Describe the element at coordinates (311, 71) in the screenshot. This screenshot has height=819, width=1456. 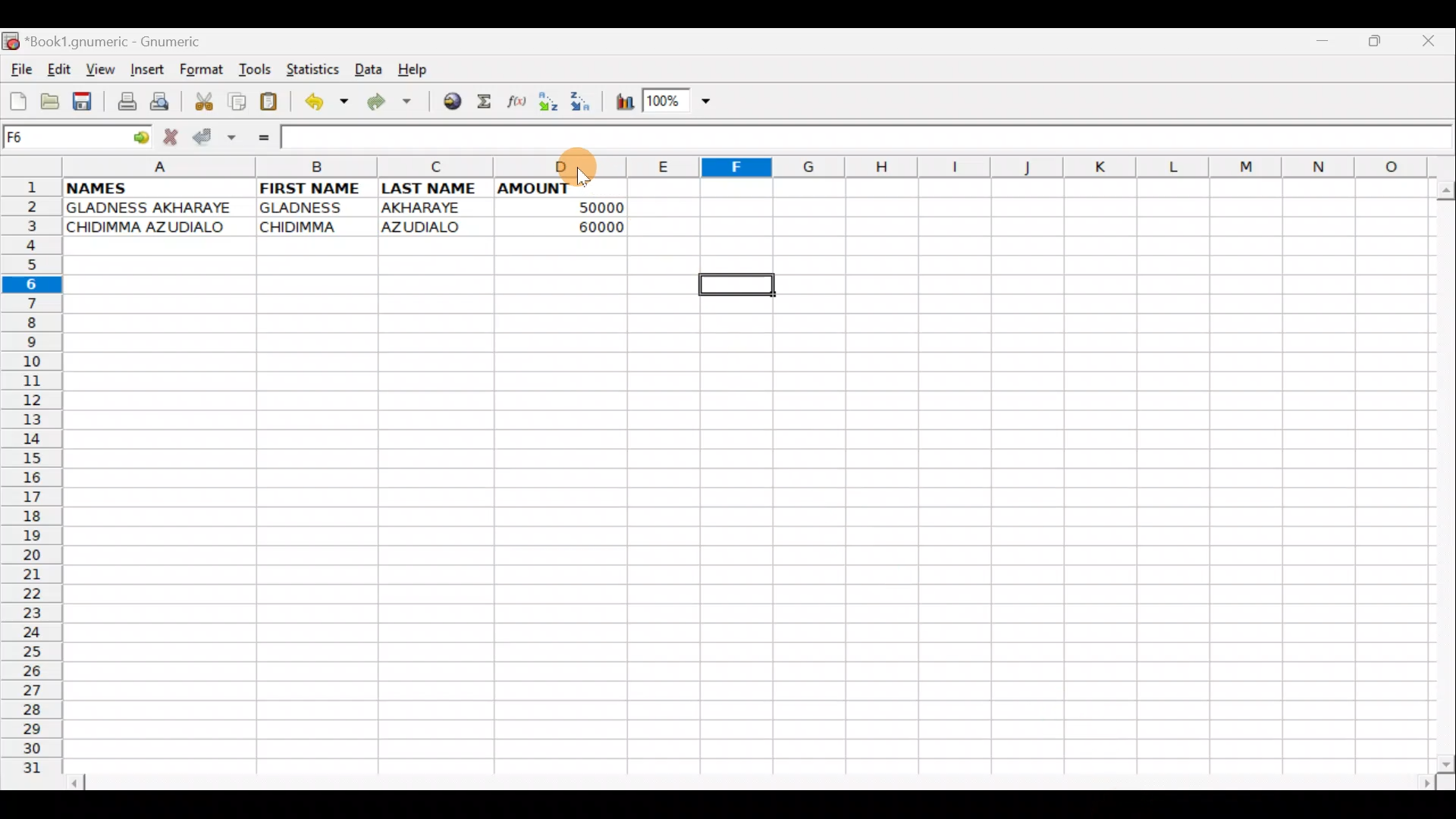
I see `Statistics` at that location.